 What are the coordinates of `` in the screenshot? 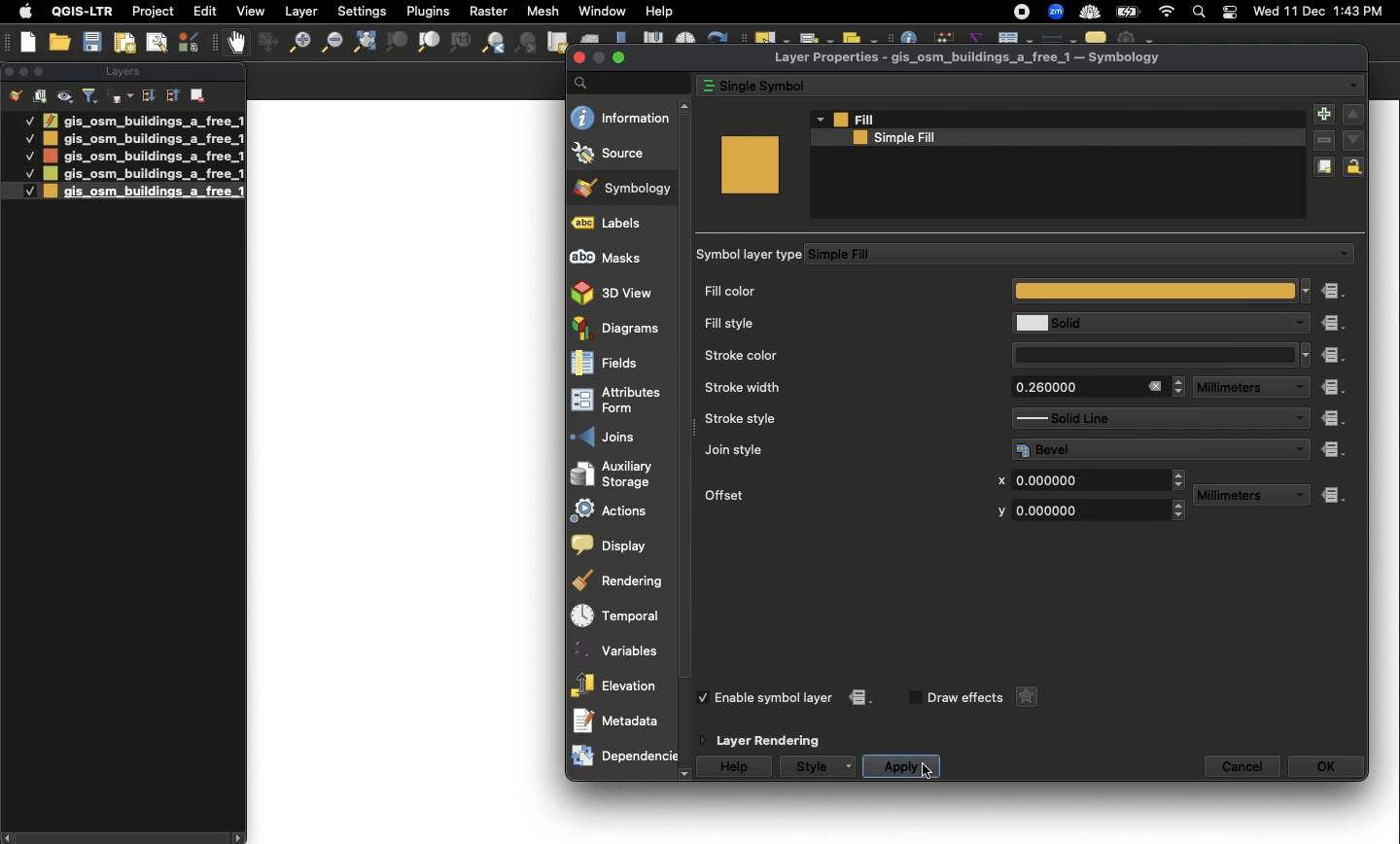 It's located at (1334, 419).